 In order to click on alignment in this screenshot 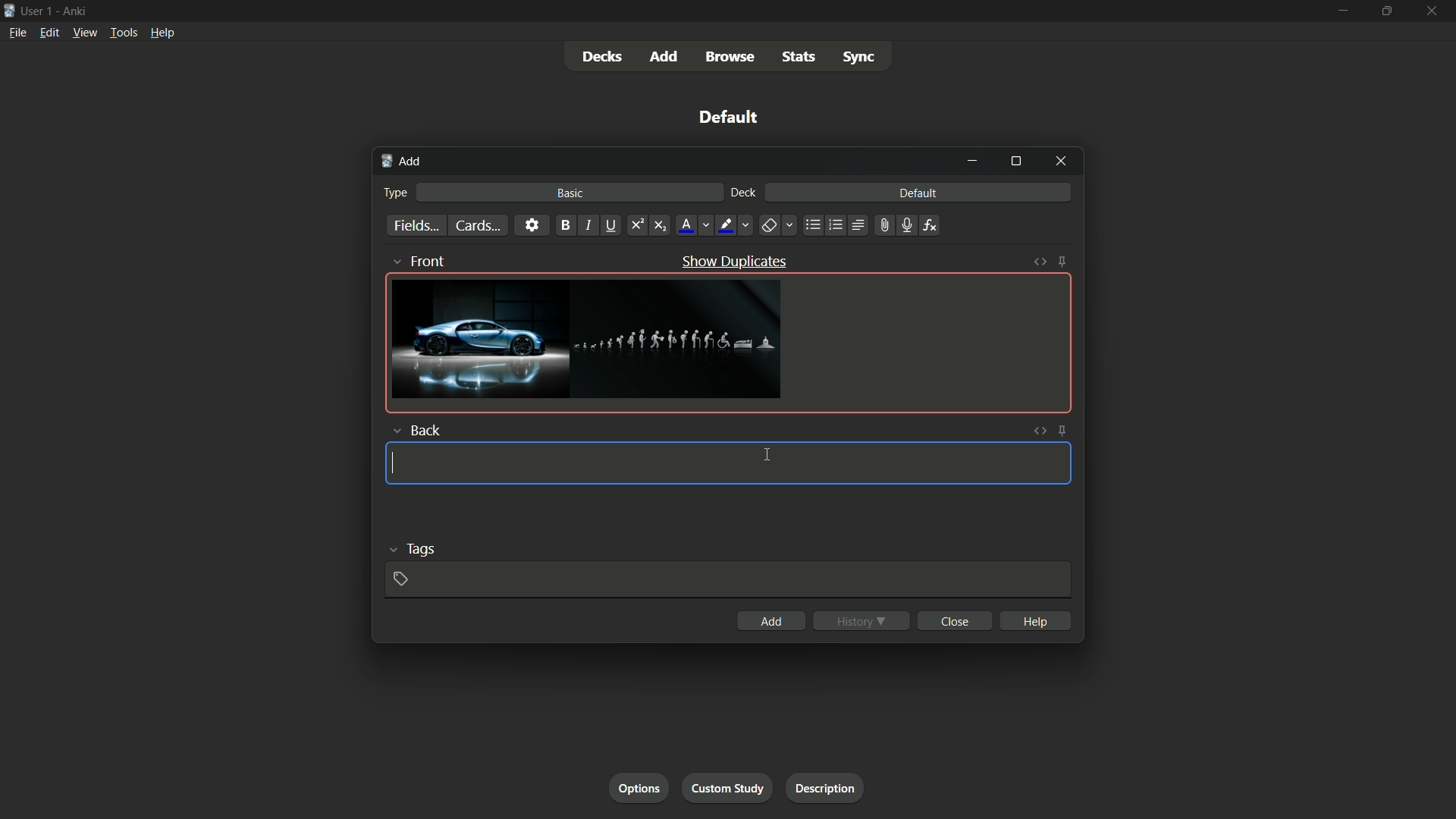, I will do `click(860, 225)`.